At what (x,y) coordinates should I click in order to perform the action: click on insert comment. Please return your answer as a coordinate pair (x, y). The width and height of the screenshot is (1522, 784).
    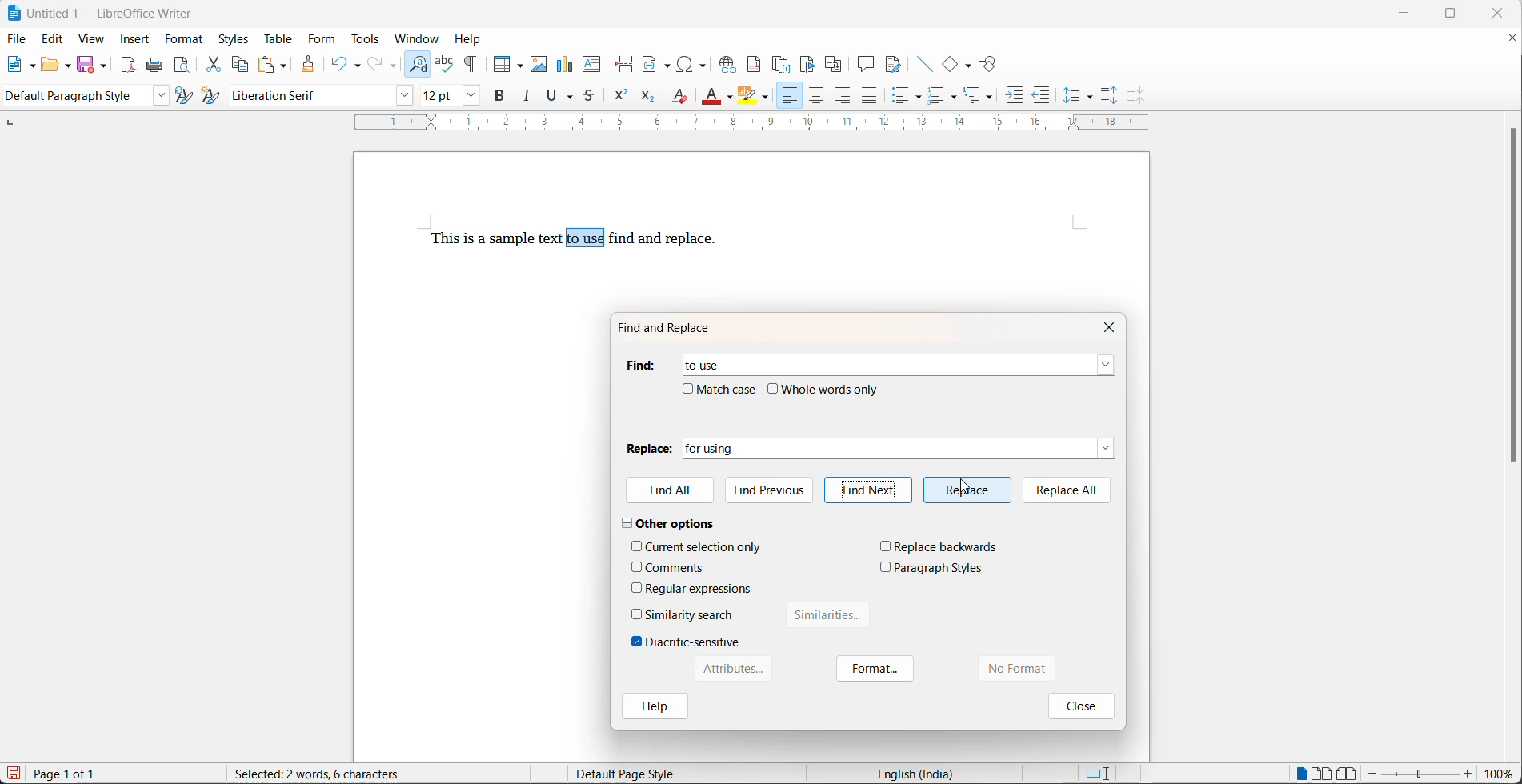
    Looking at the image, I should click on (866, 64).